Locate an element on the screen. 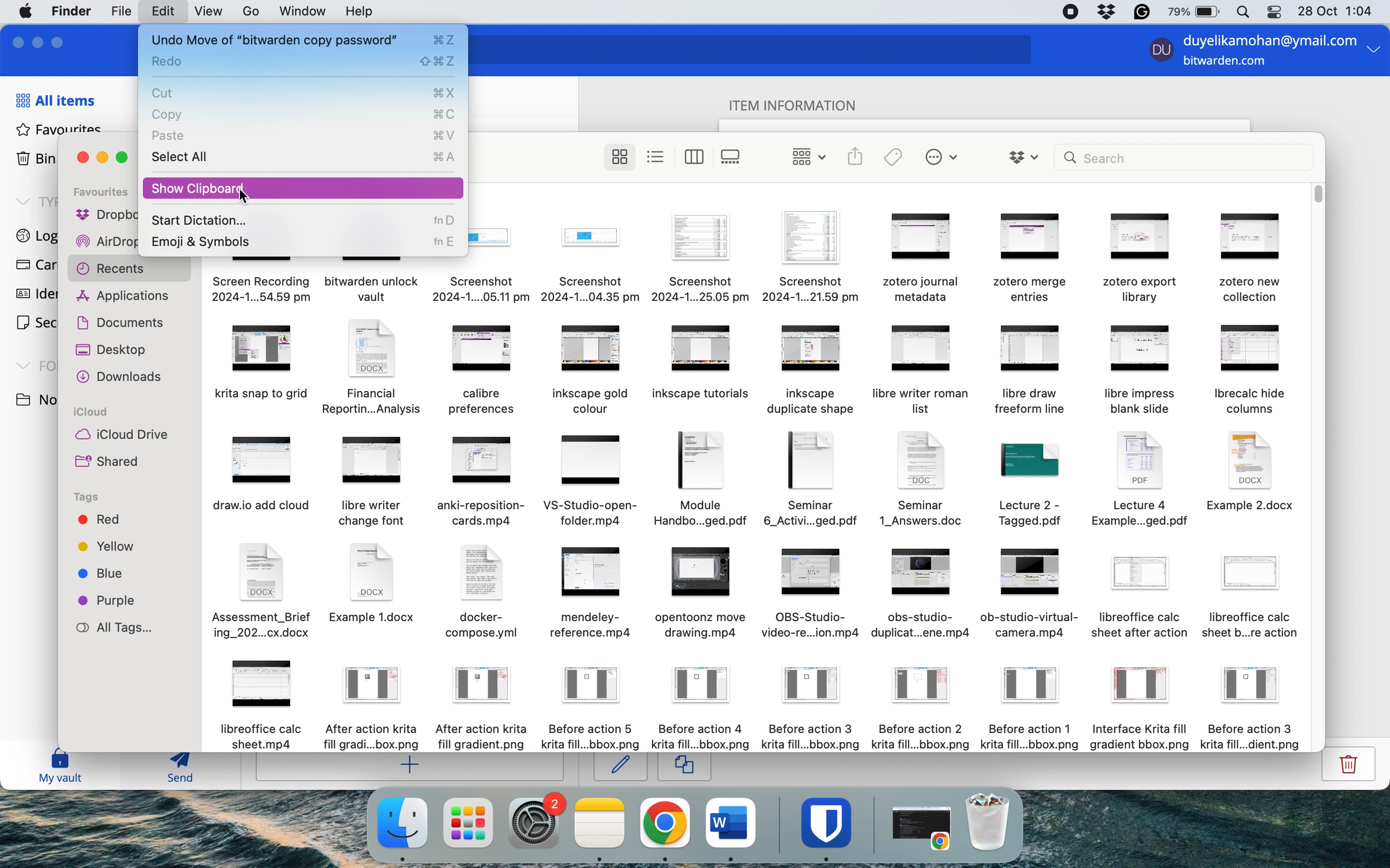  edit is located at coordinates (621, 768).